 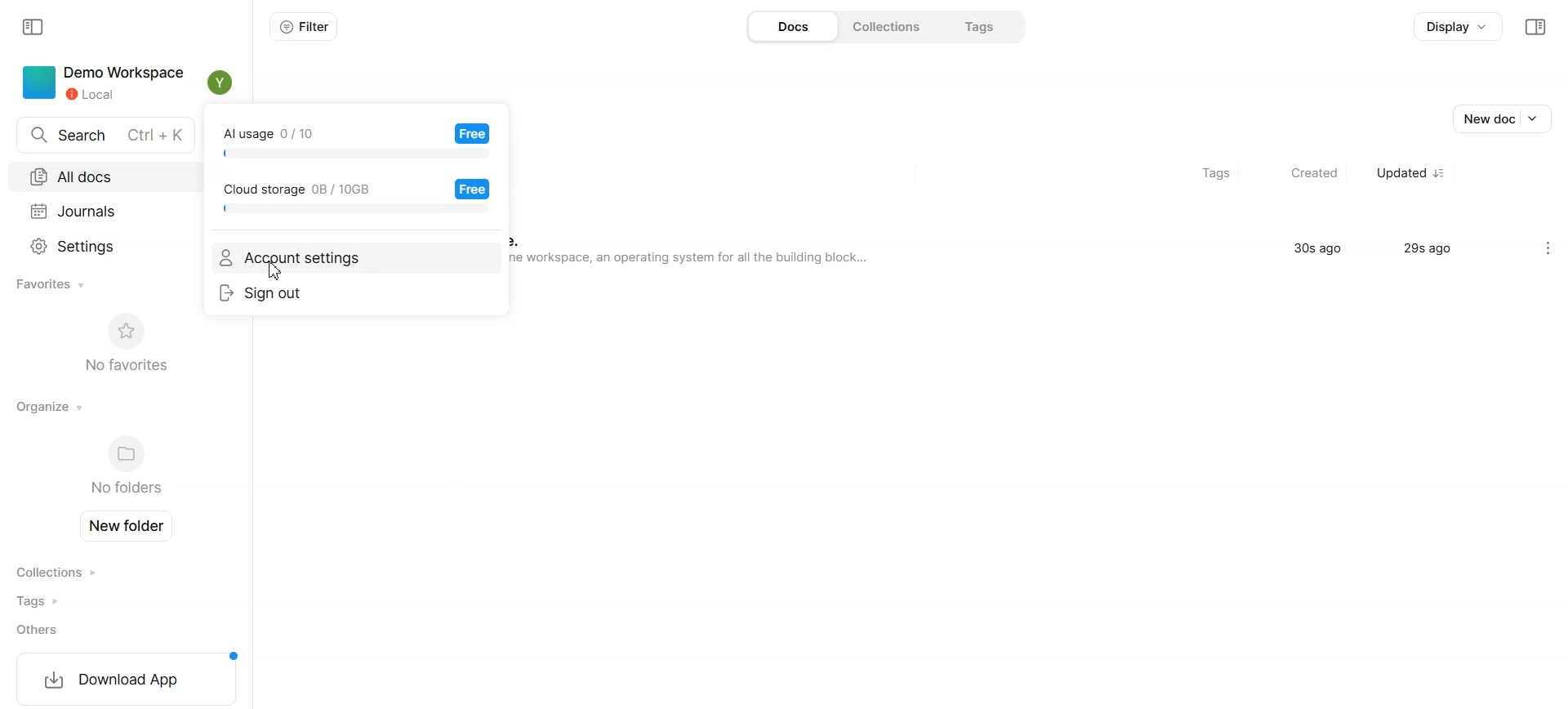 What do you see at coordinates (1306, 173) in the screenshot?
I see `Created` at bounding box center [1306, 173].